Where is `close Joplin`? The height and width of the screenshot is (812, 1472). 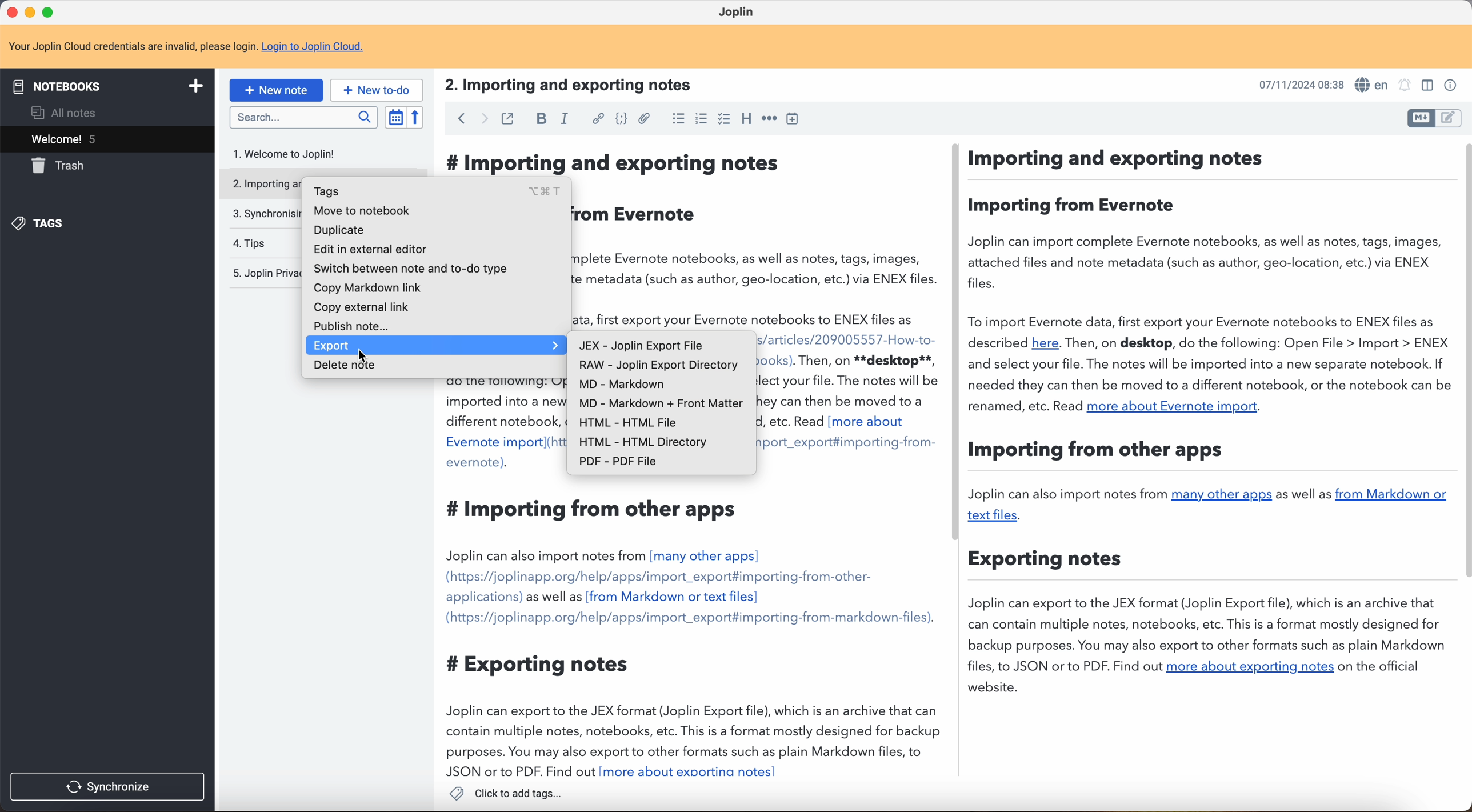 close Joplin is located at coordinates (11, 13).